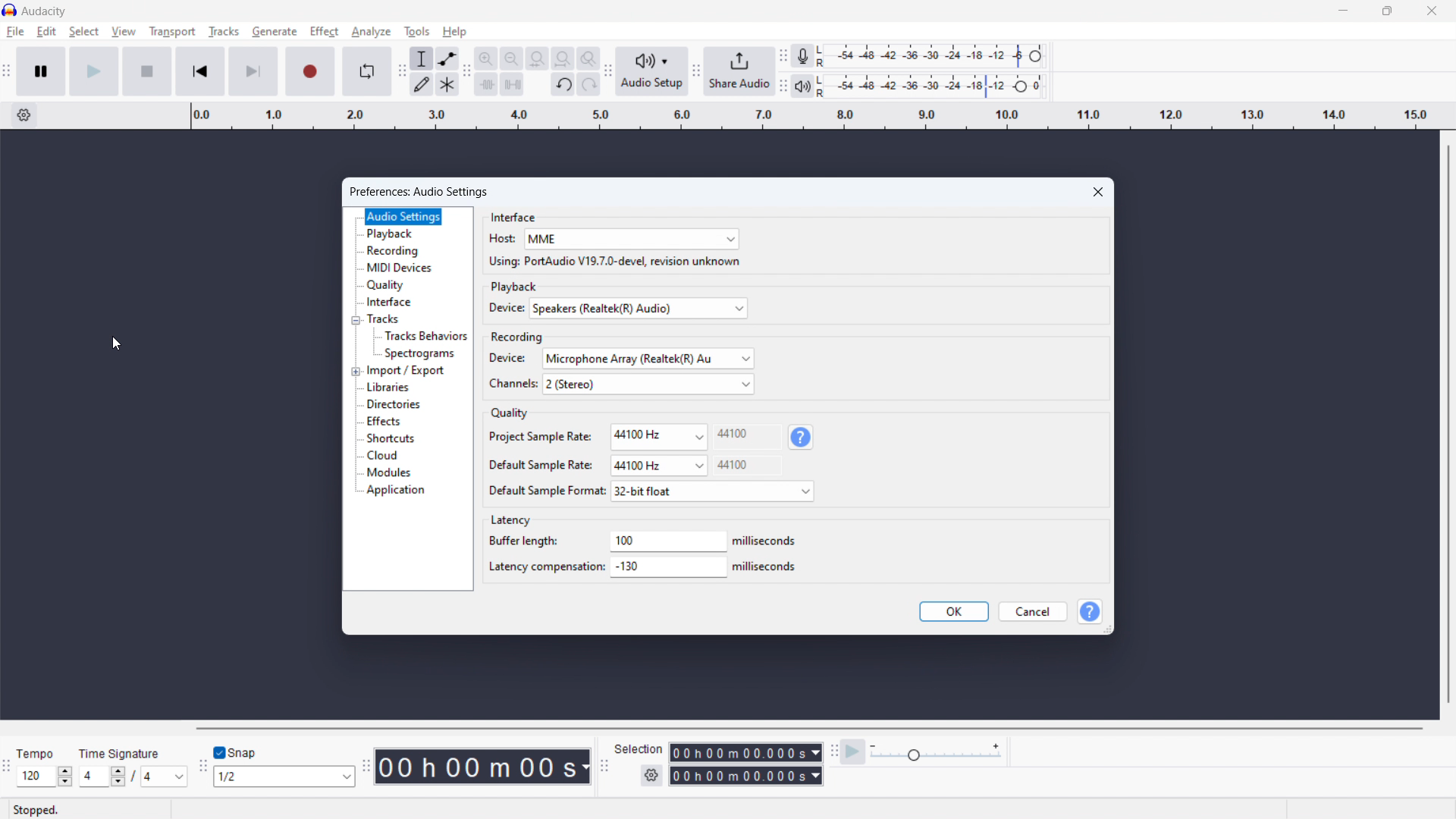  Describe the element at coordinates (604, 766) in the screenshot. I see `selection toolbar` at that location.